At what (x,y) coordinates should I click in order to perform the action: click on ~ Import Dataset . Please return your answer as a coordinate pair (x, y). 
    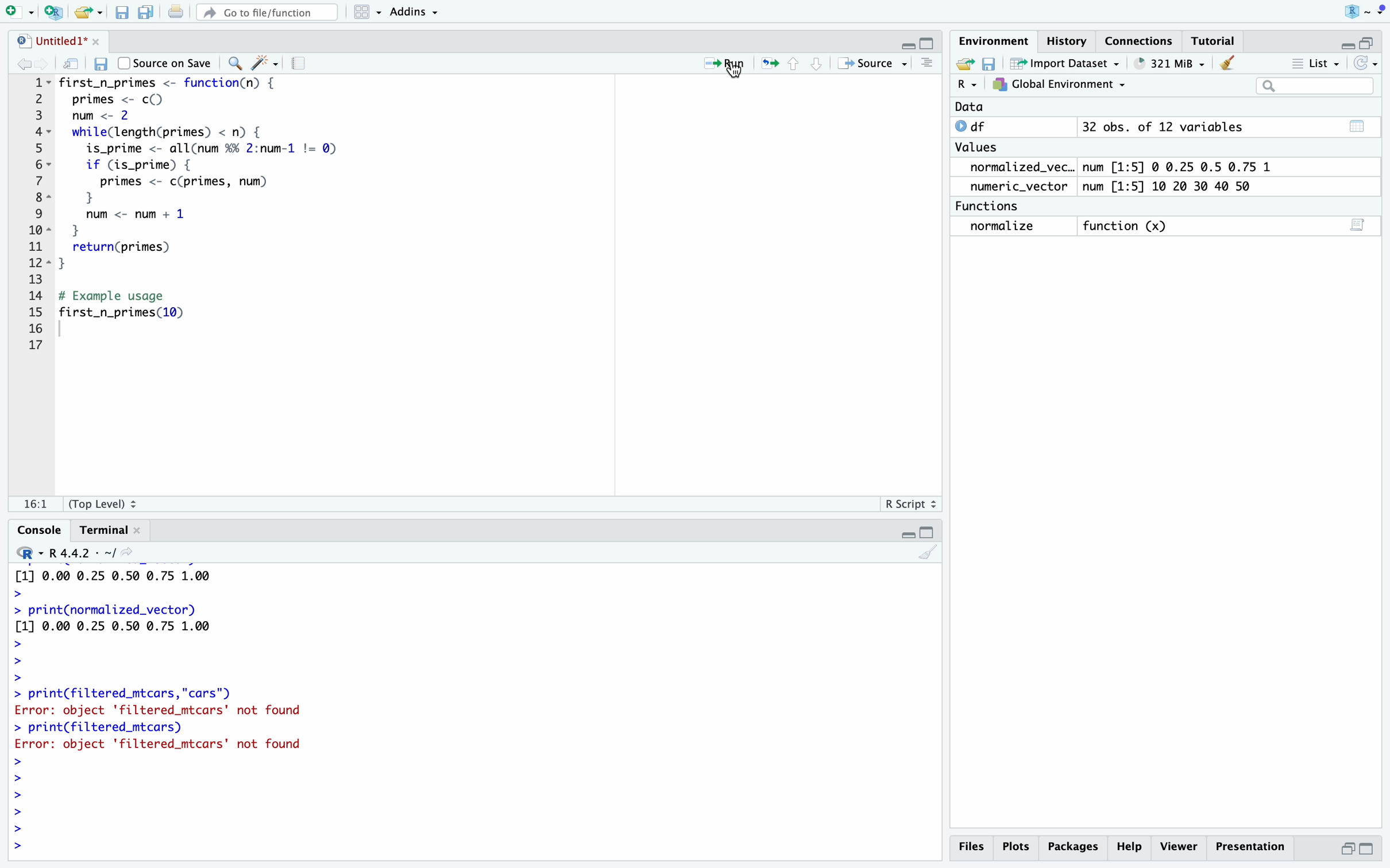
    Looking at the image, I should click on (1064, 63).